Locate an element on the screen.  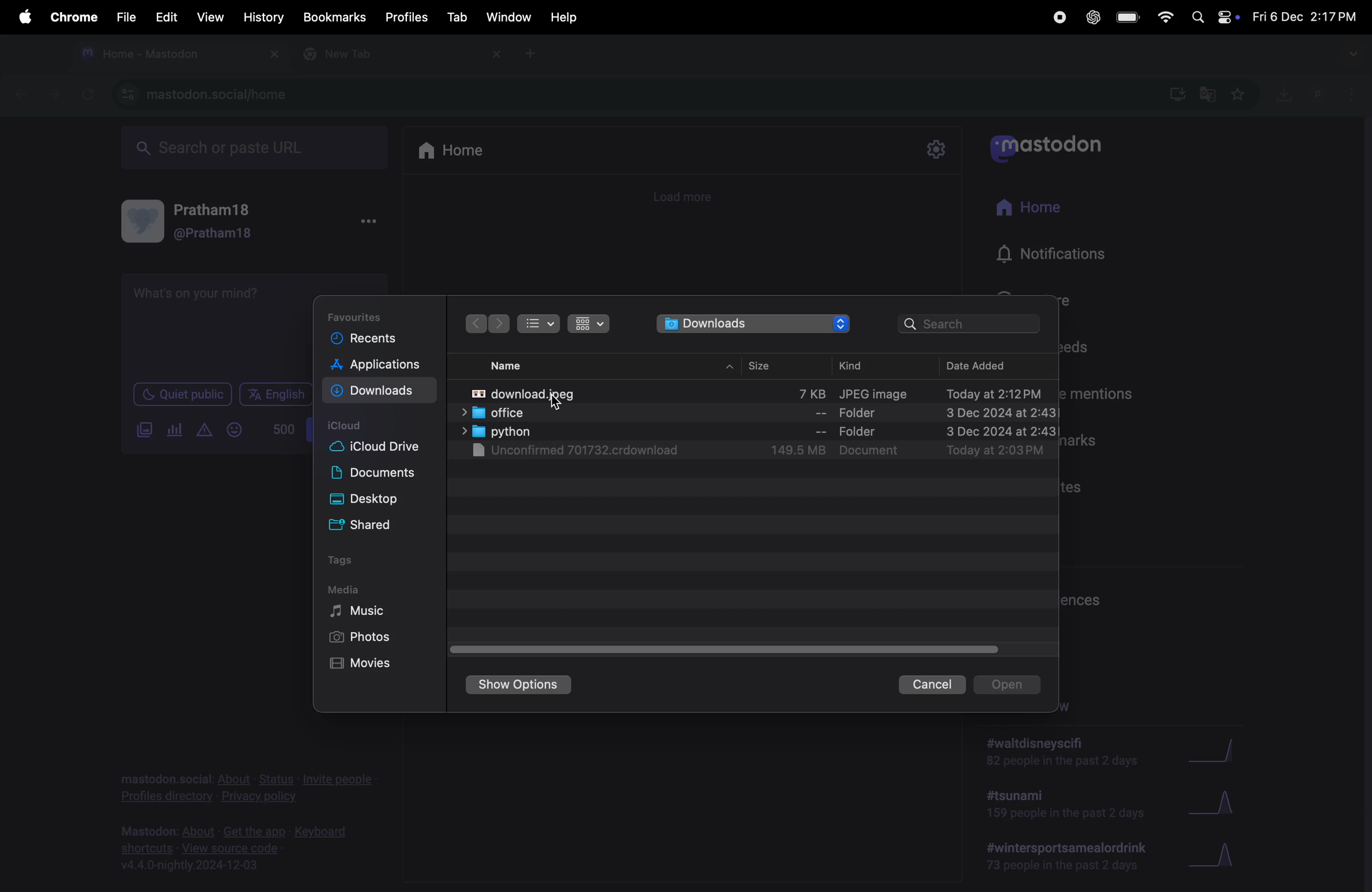
create alert is located at coordinates (203, 433).